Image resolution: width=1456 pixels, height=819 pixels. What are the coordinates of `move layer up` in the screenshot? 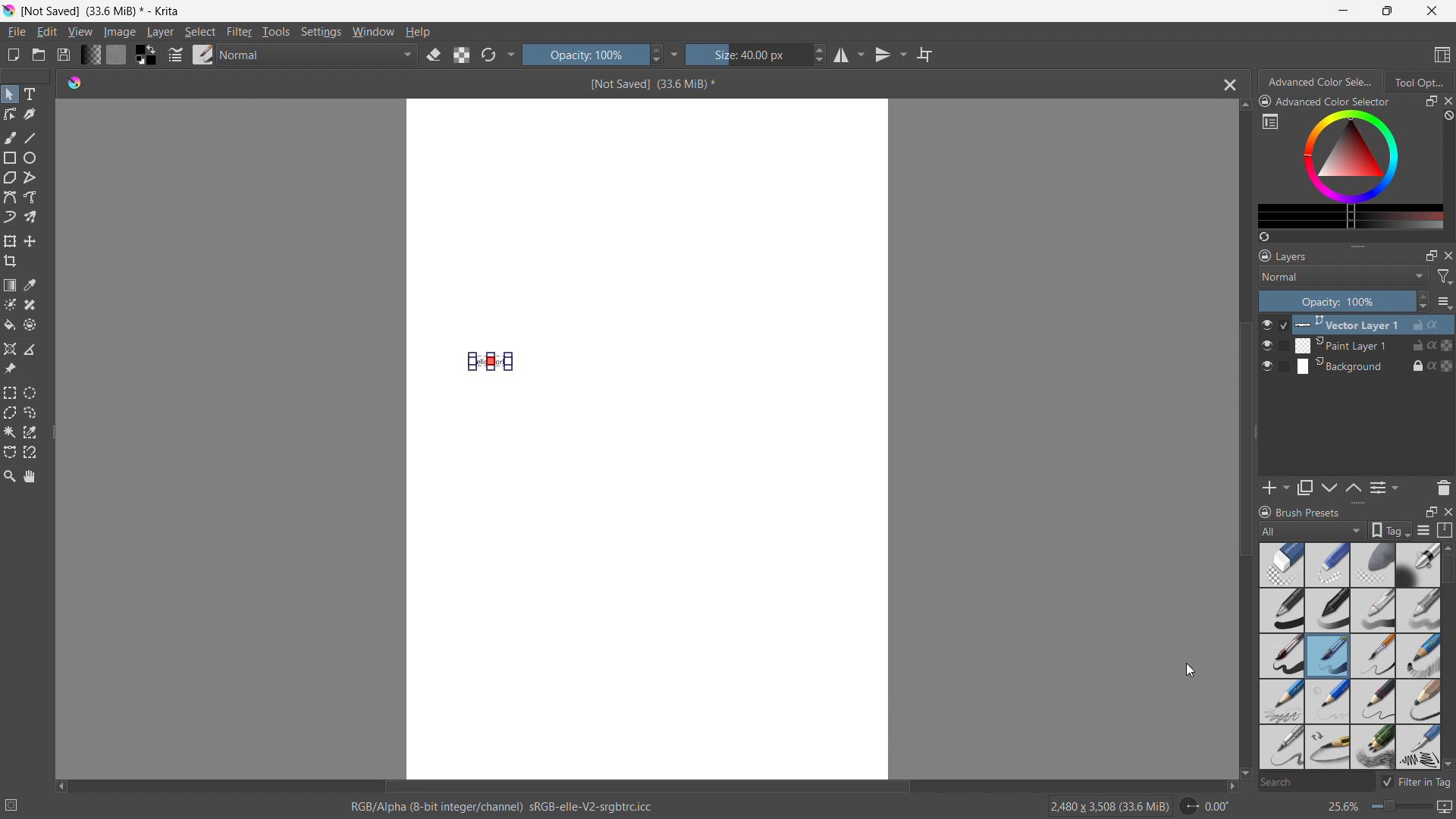 It's located at (1330, 488).